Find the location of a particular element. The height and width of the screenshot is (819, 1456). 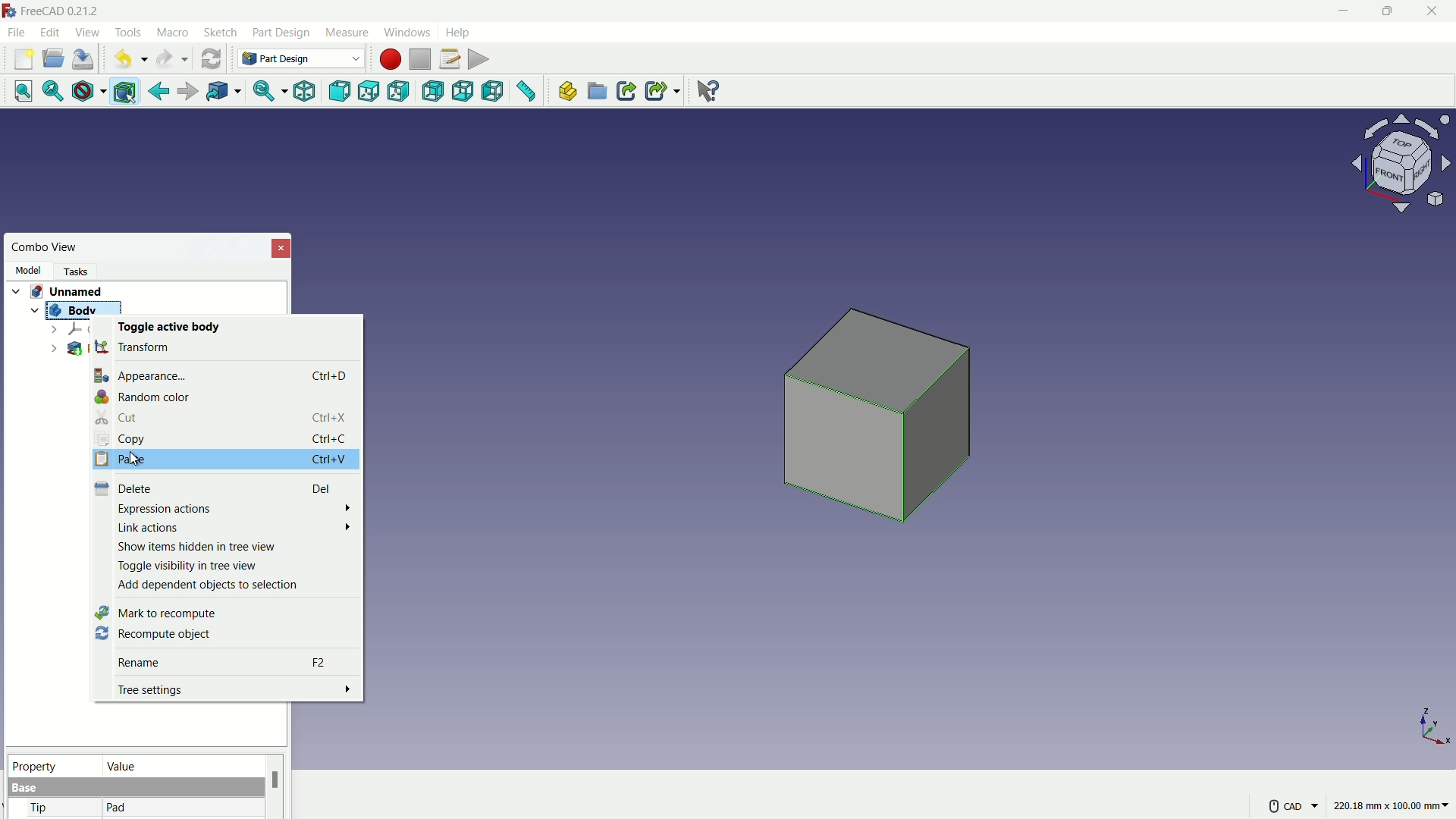

model is located at coordinates (27, 270).